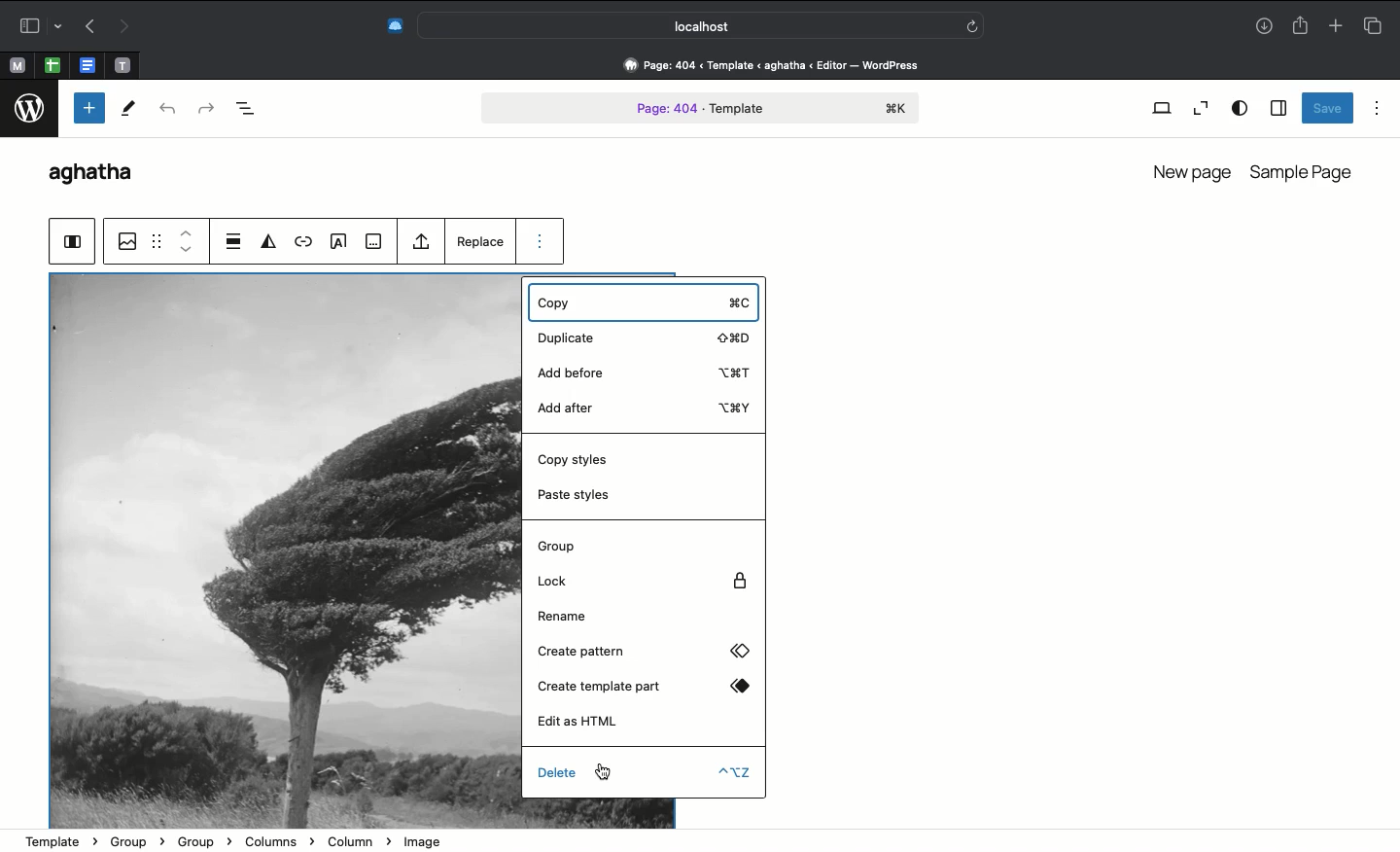  Describe the element at coordinates (641, 337) in the screenshot. I see `Duplicate` at that location.